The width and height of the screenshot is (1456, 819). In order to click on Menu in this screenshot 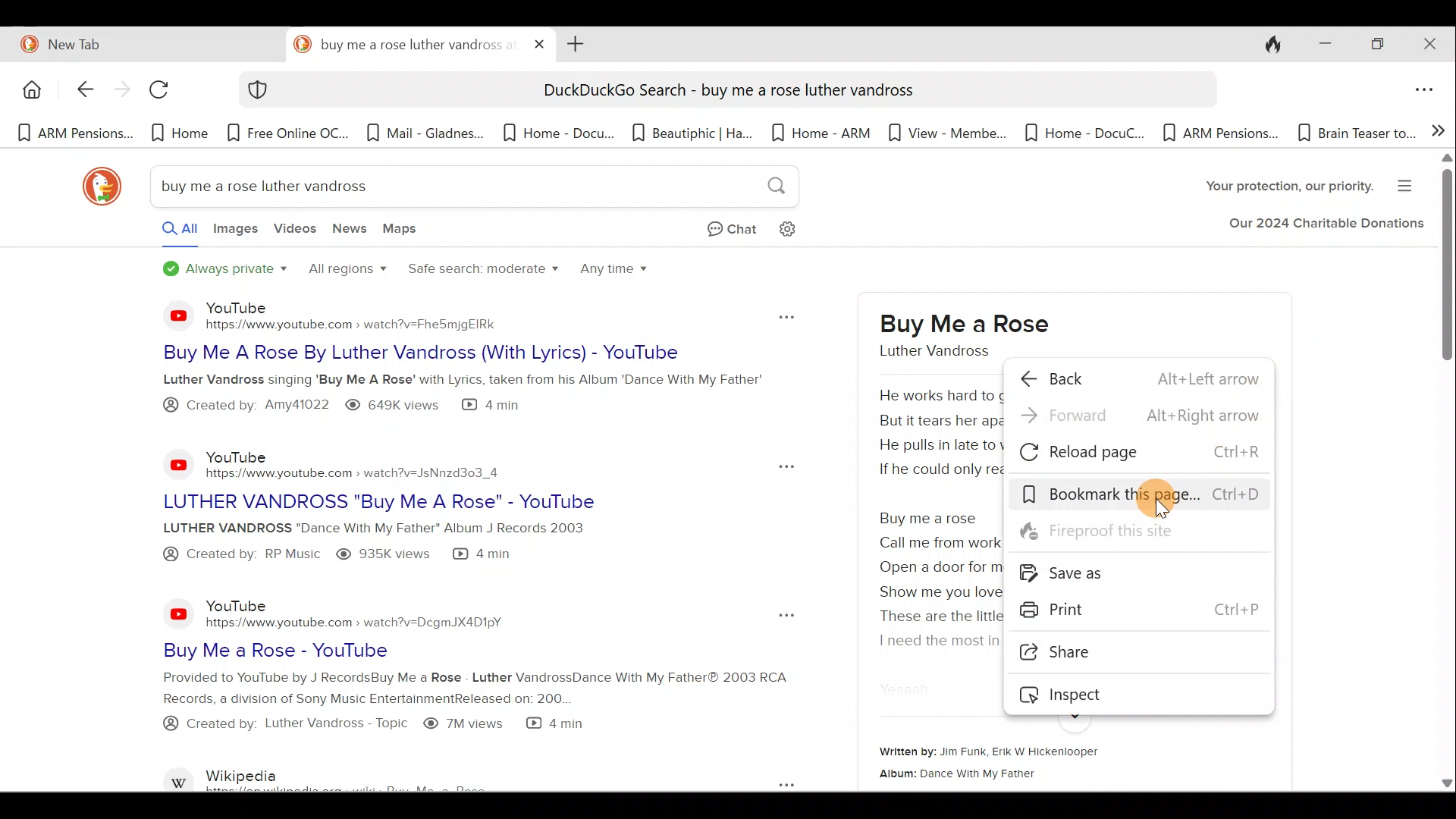, I will do `click(1410, 184)`.